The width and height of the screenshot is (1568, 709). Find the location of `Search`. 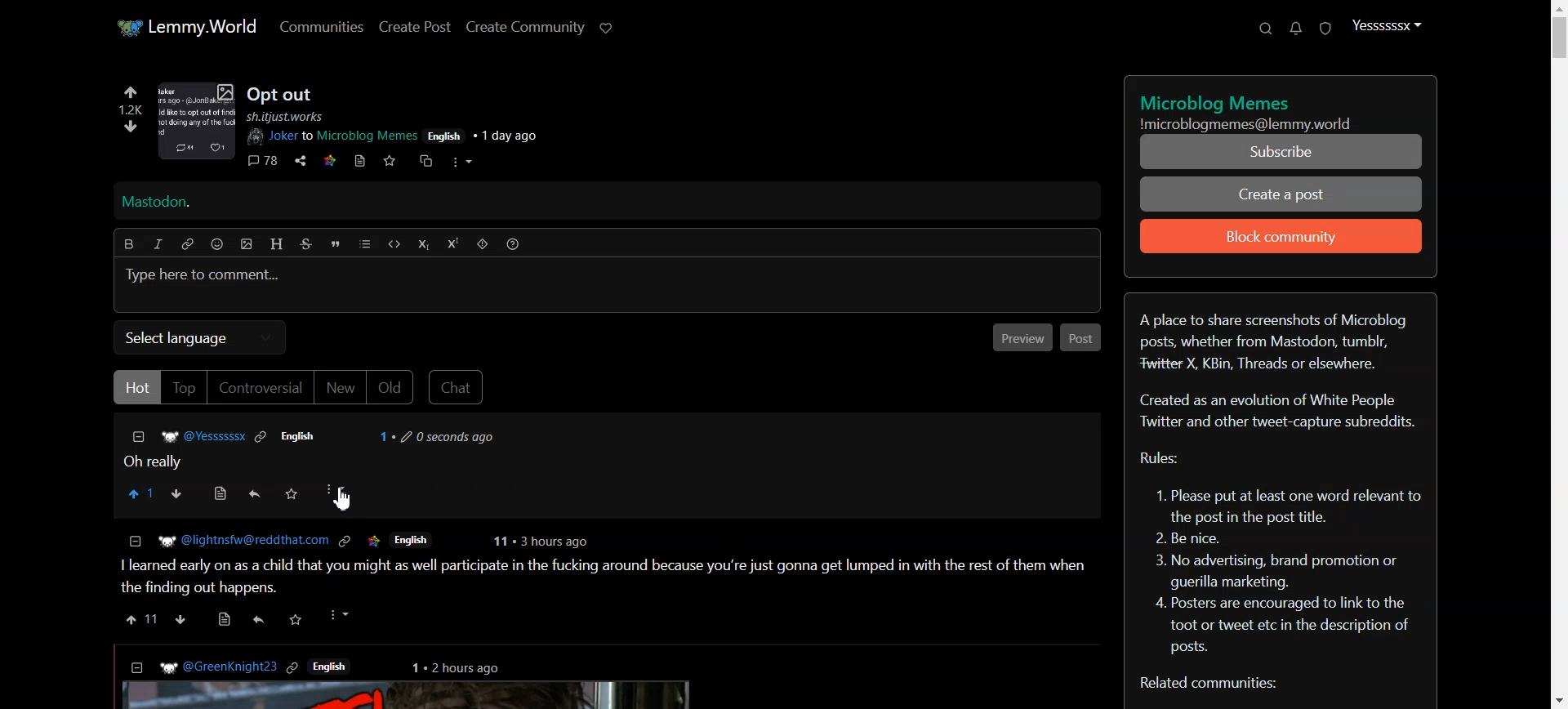

Search is located at coordinates (1267, 28).